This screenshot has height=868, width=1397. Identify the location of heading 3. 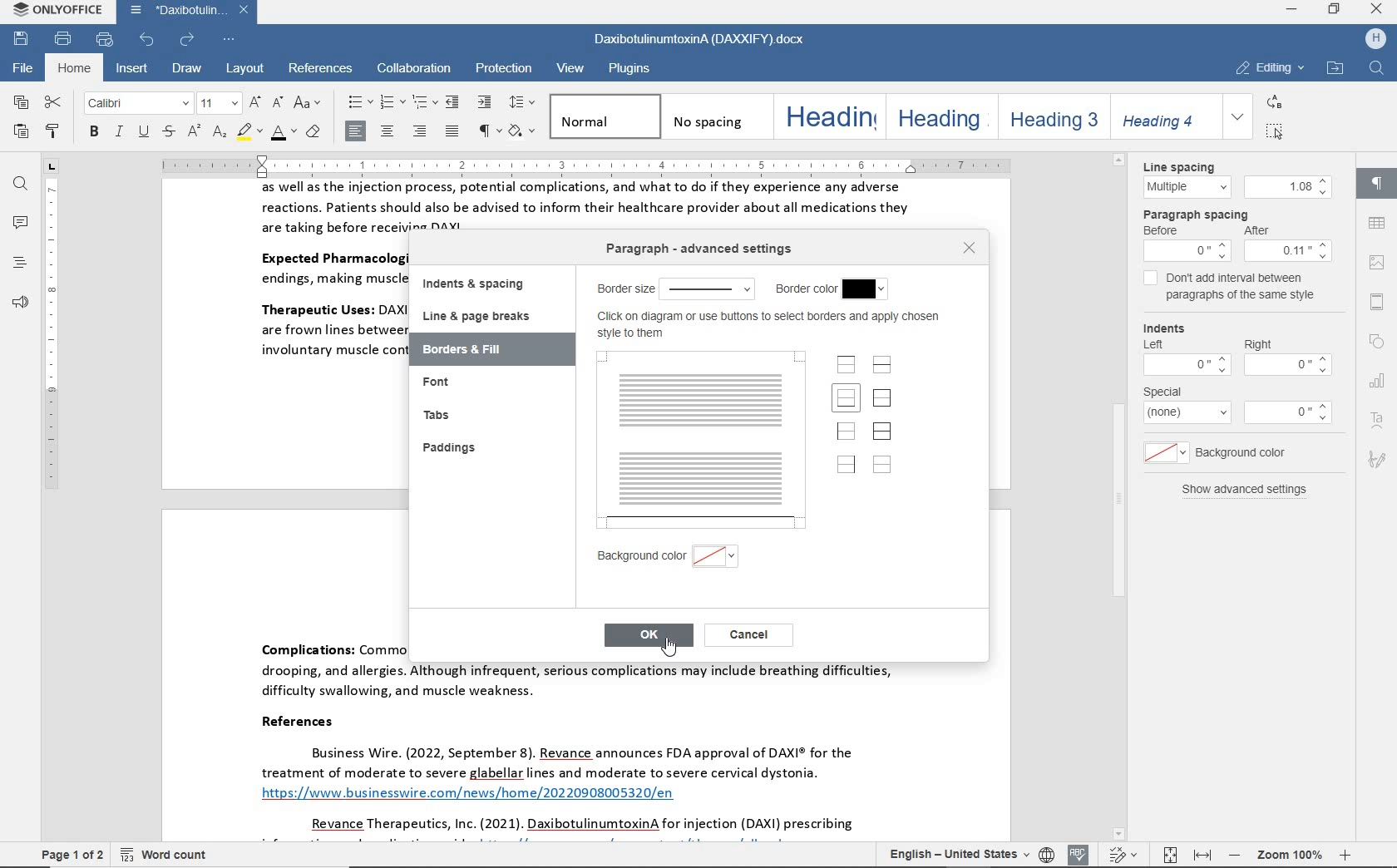
(1051, 116).